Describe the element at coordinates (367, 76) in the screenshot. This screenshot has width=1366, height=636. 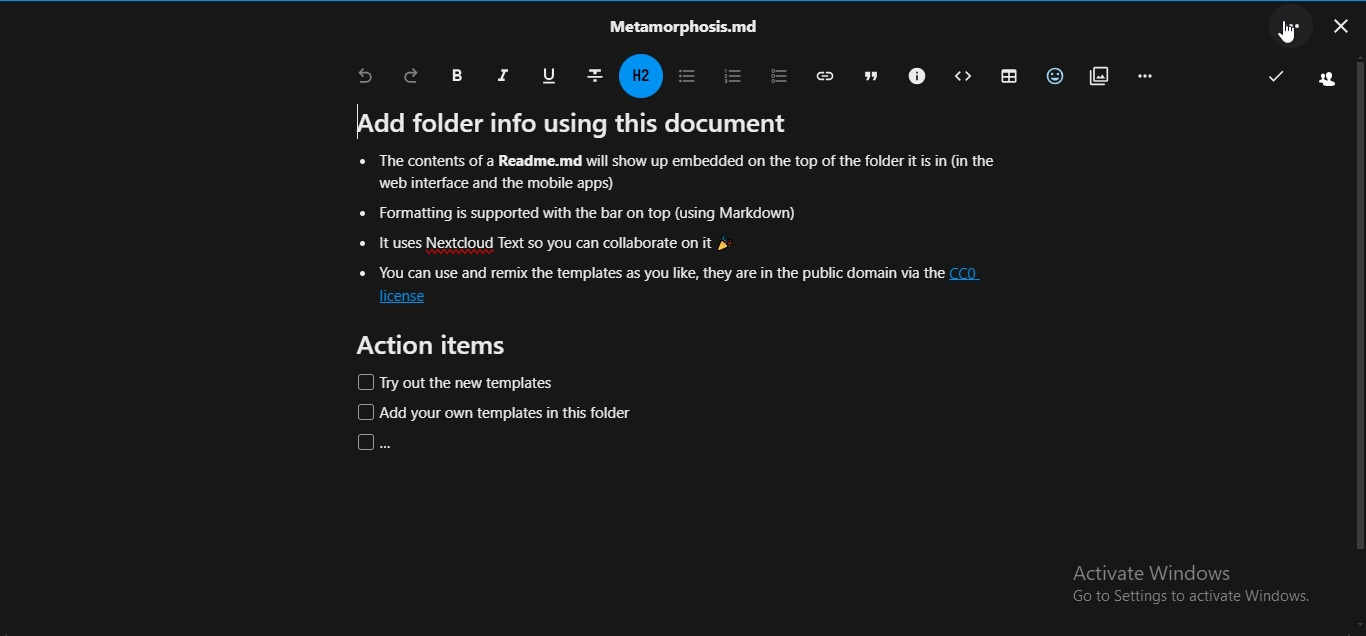
I see `undo` at that location.